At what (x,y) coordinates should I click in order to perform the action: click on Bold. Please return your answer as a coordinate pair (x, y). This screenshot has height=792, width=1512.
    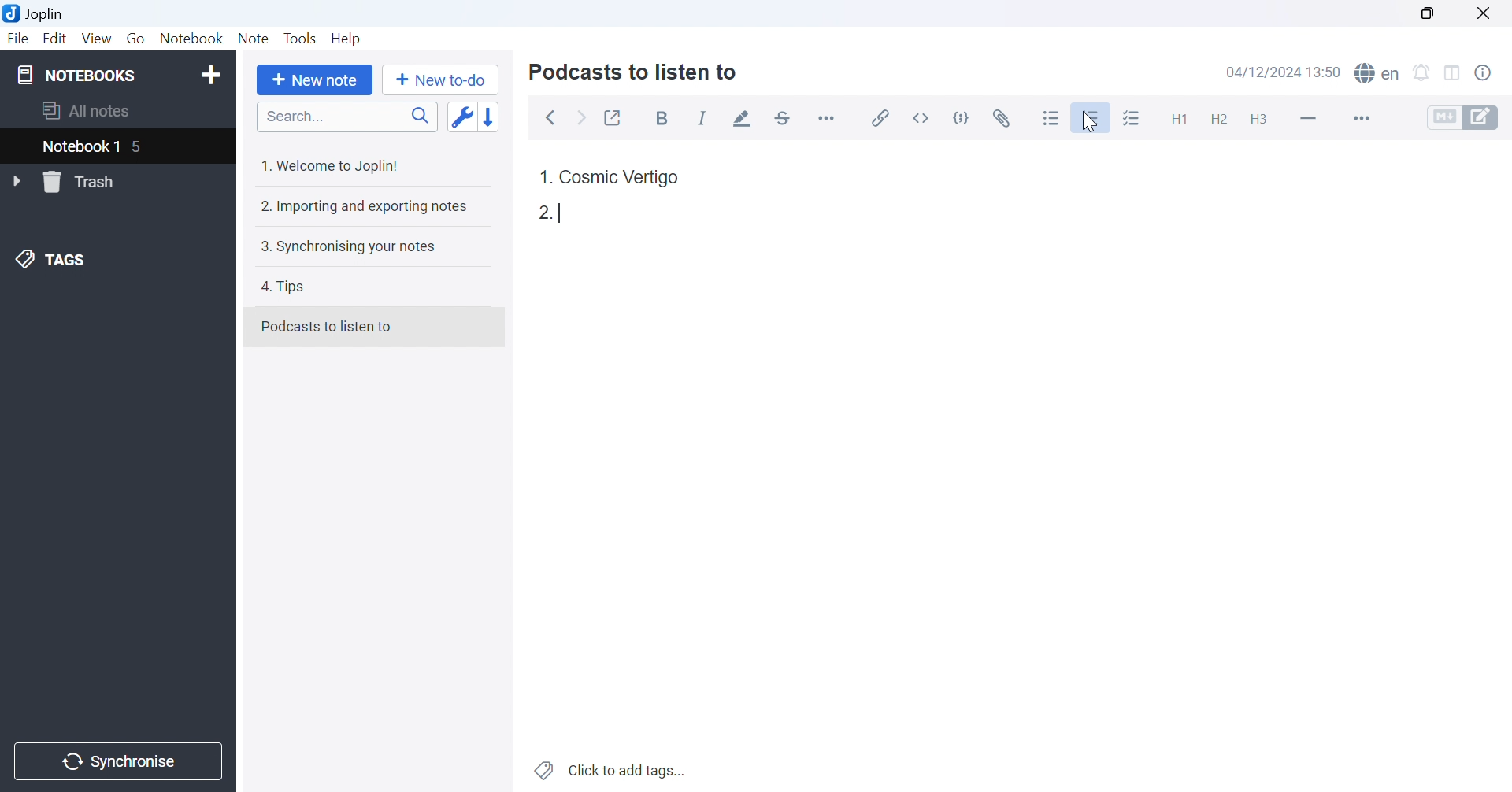
    Looking at the image, I should click on (665, 119).